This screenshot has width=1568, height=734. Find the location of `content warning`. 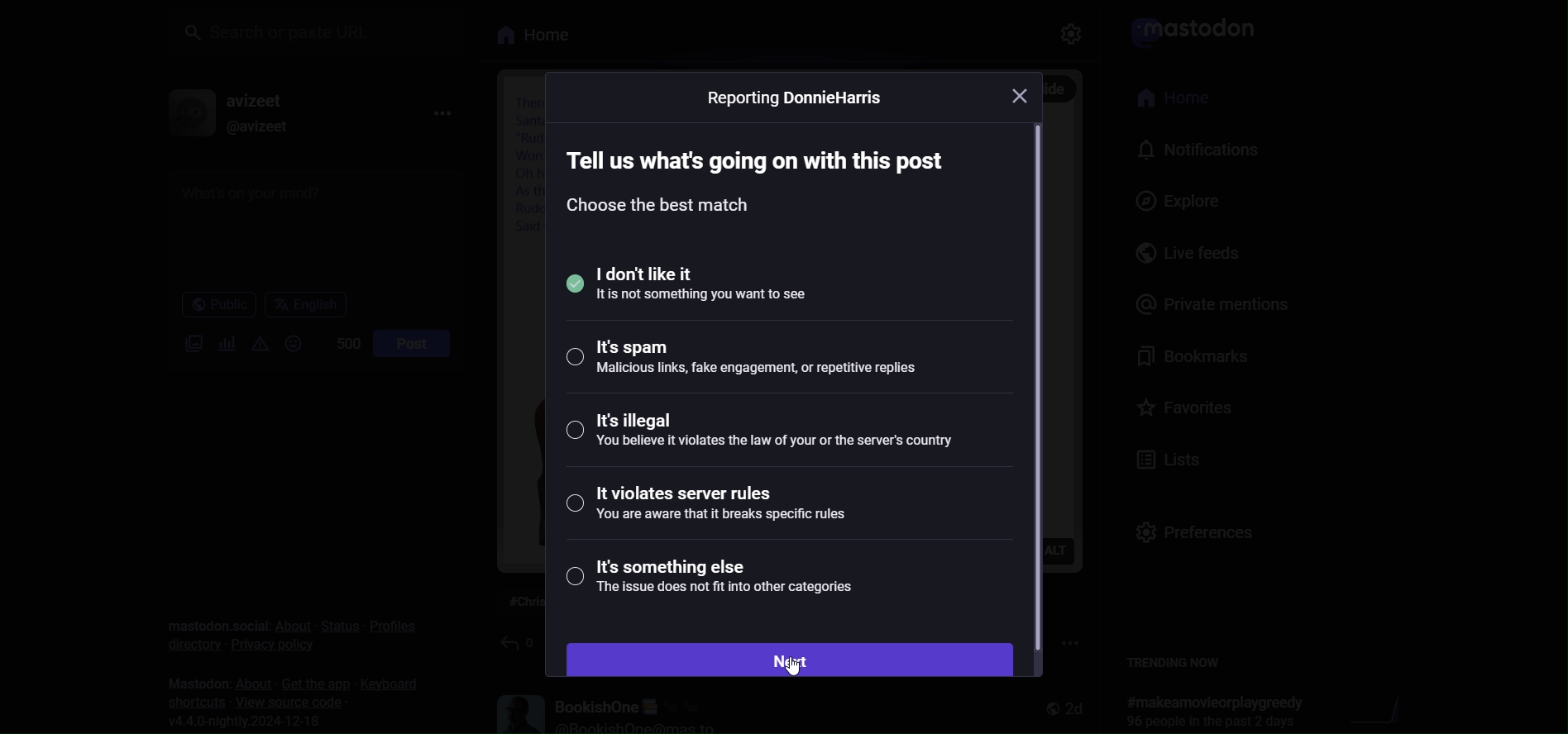

content warning is located at coordinates (259, 343).